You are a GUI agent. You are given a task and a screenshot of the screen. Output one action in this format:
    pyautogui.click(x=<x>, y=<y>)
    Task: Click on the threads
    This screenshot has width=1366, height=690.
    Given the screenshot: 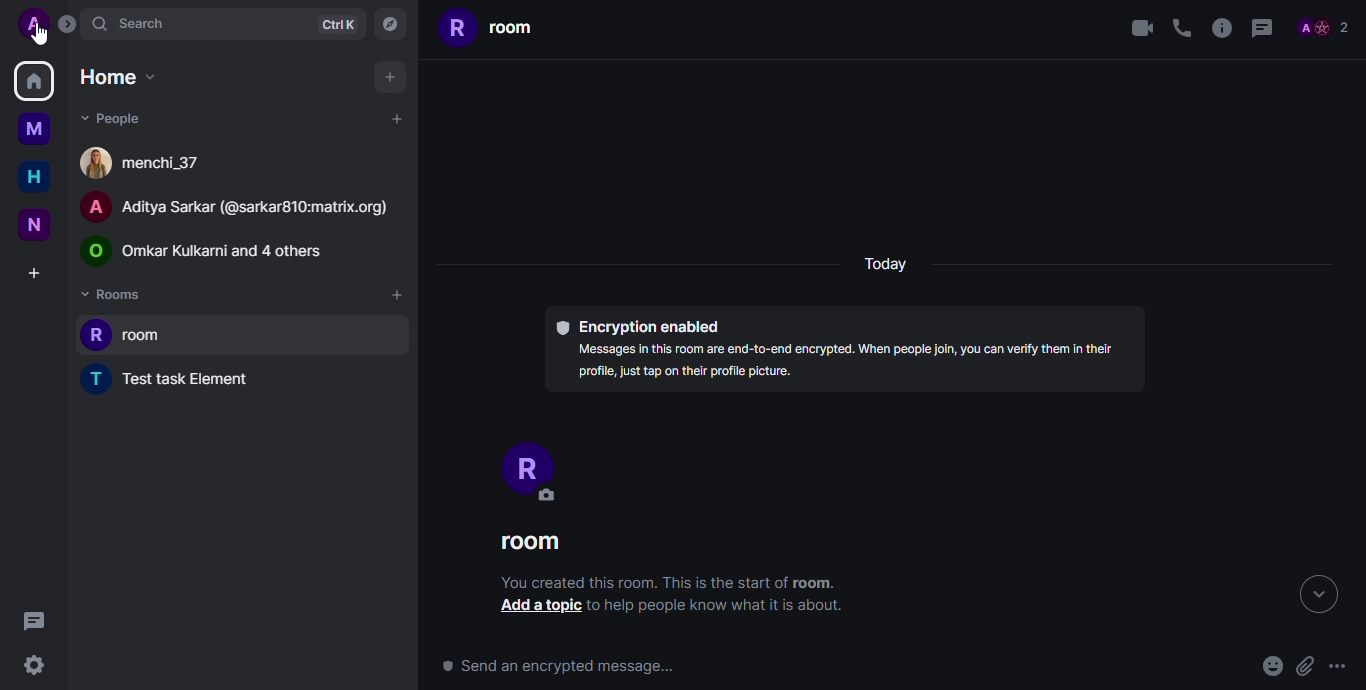 What is the action you would take?
    pyautogui.click(x=30, y=619)
    